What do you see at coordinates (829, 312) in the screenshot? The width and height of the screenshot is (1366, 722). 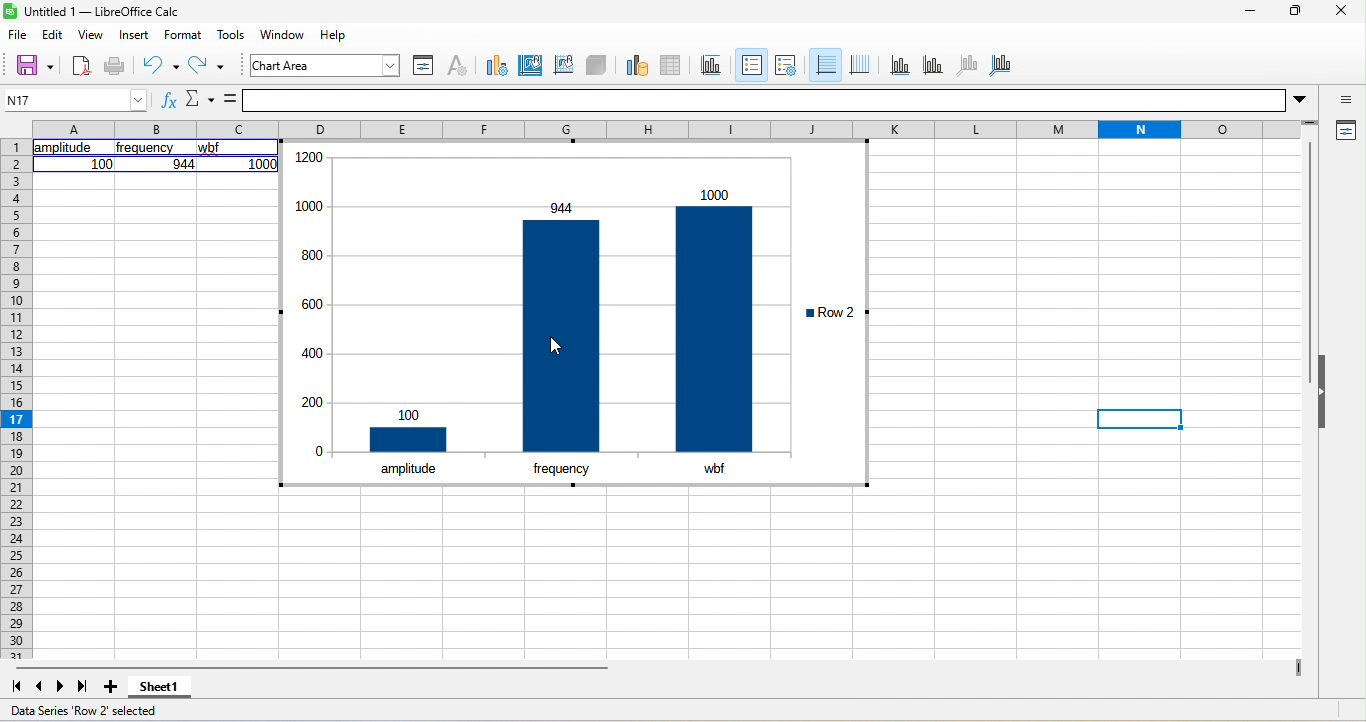 I see `row 2` at bounding box center [829, 312].